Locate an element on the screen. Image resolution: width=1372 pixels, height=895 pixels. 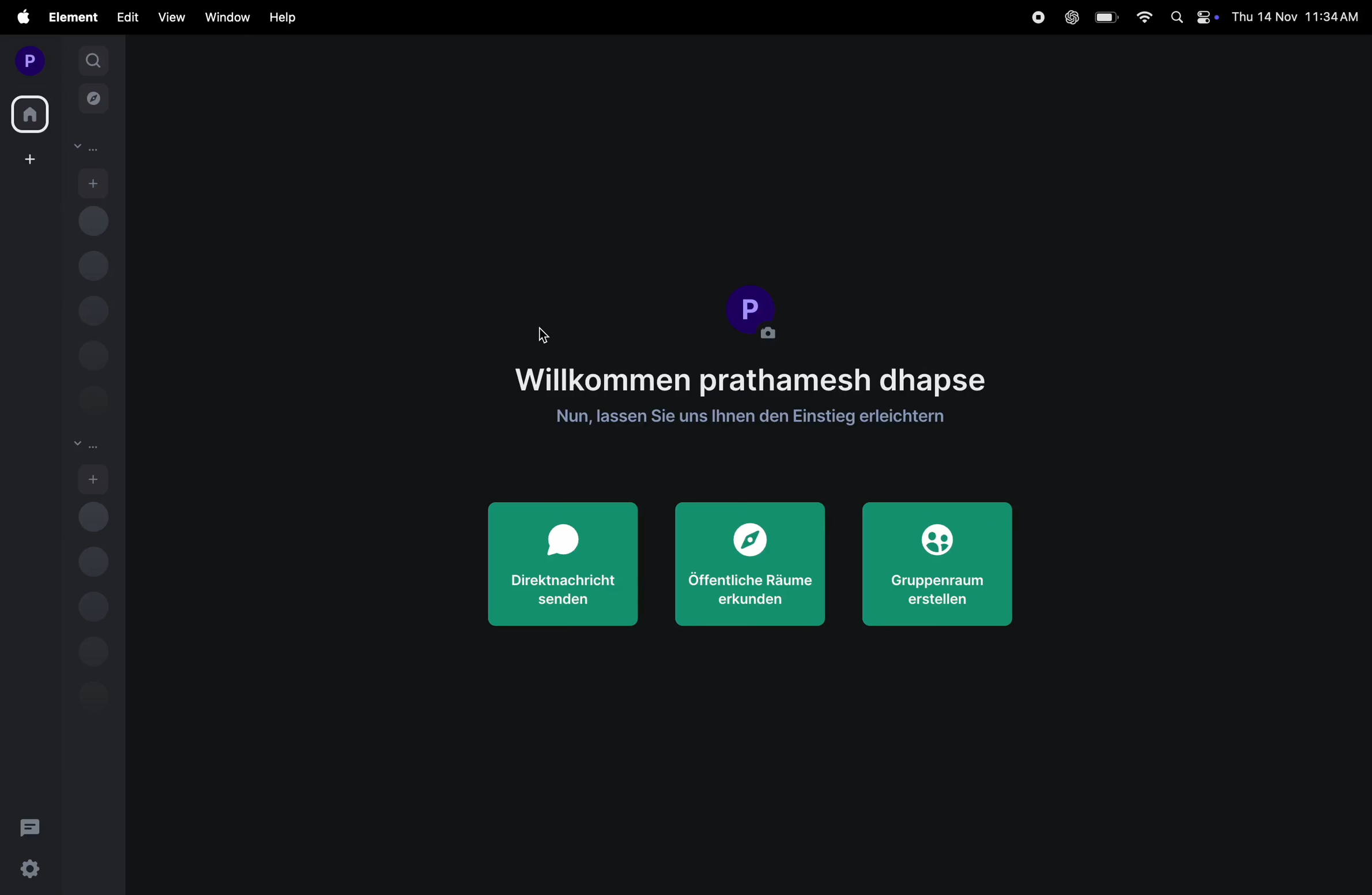
profile is located at coordinates (27, 59).